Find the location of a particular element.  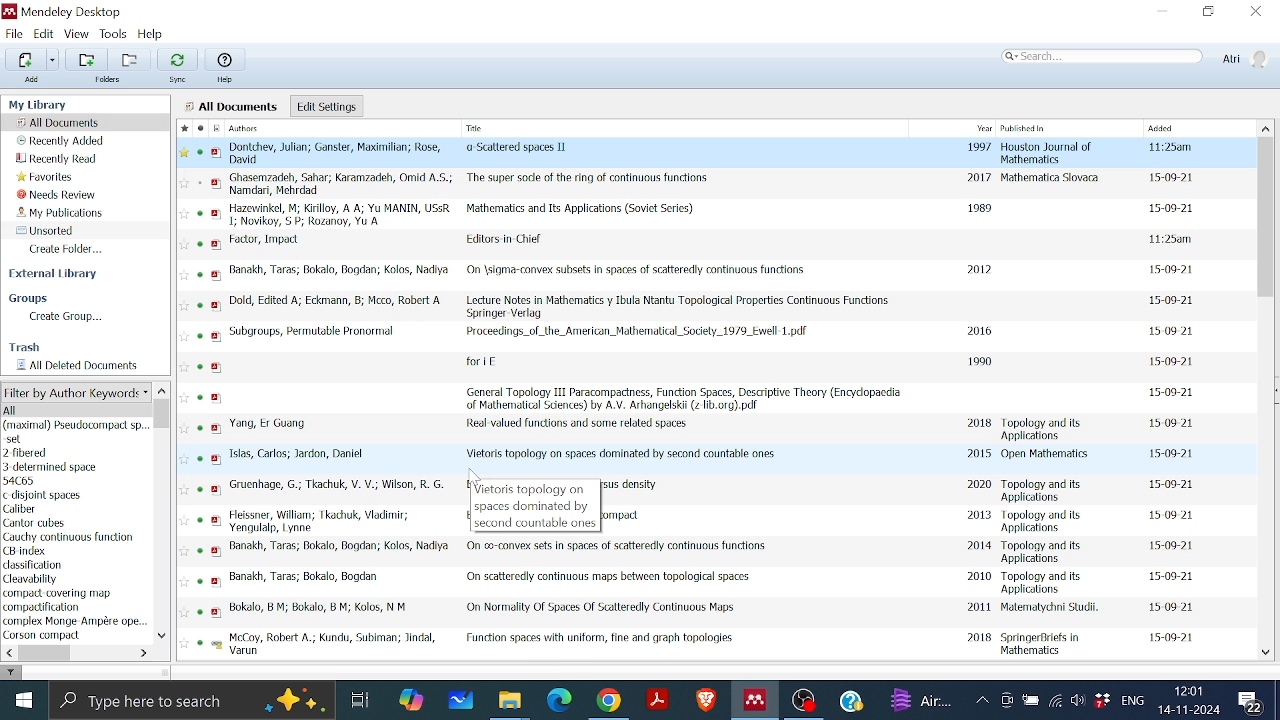

Recently added is located at coordinates (60, 141).